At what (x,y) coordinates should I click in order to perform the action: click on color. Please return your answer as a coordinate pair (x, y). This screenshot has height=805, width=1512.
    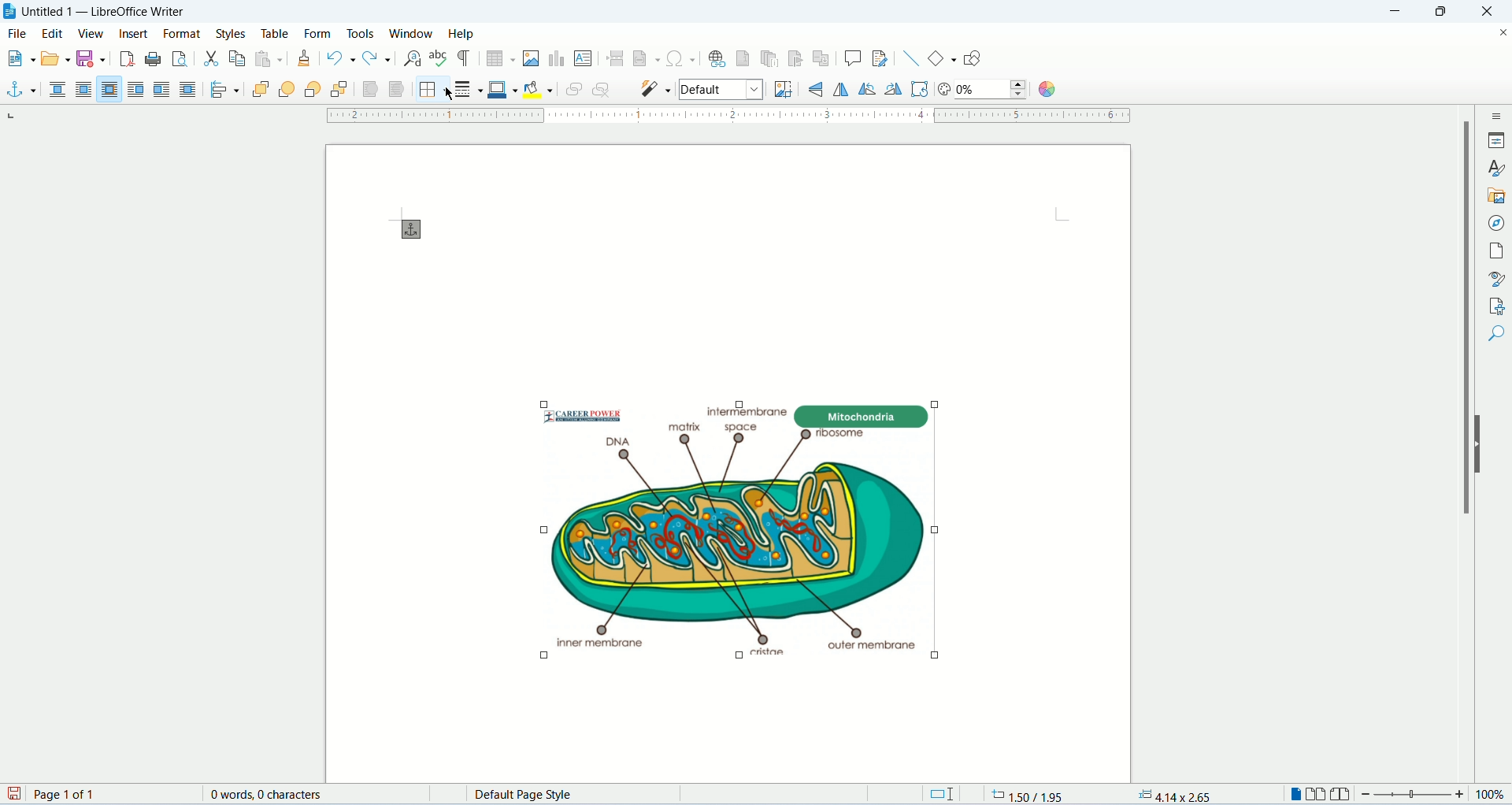
    Looking at the image, I should click on (1045, 90).